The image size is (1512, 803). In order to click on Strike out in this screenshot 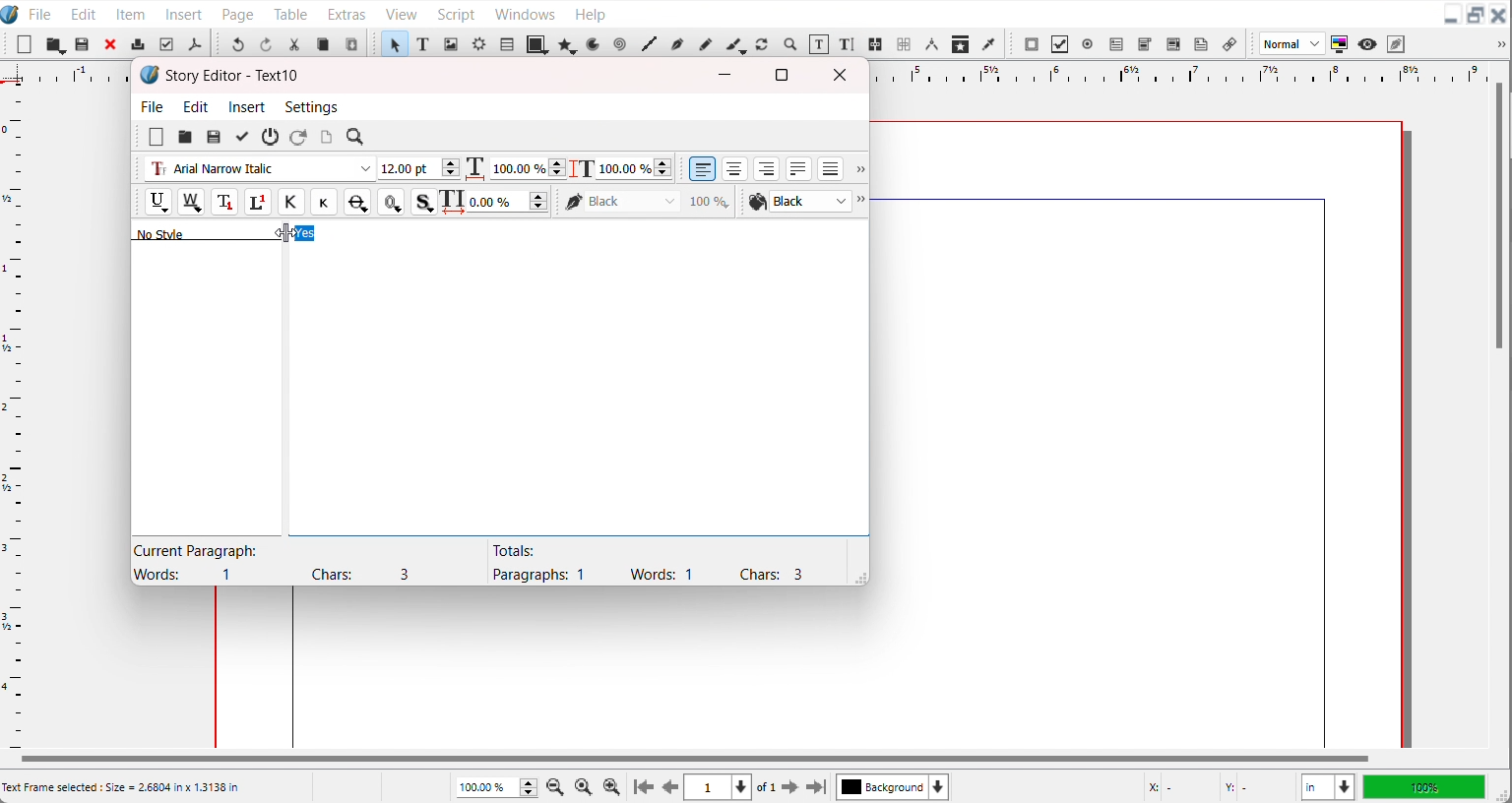, I will do `click(355, 202)`.